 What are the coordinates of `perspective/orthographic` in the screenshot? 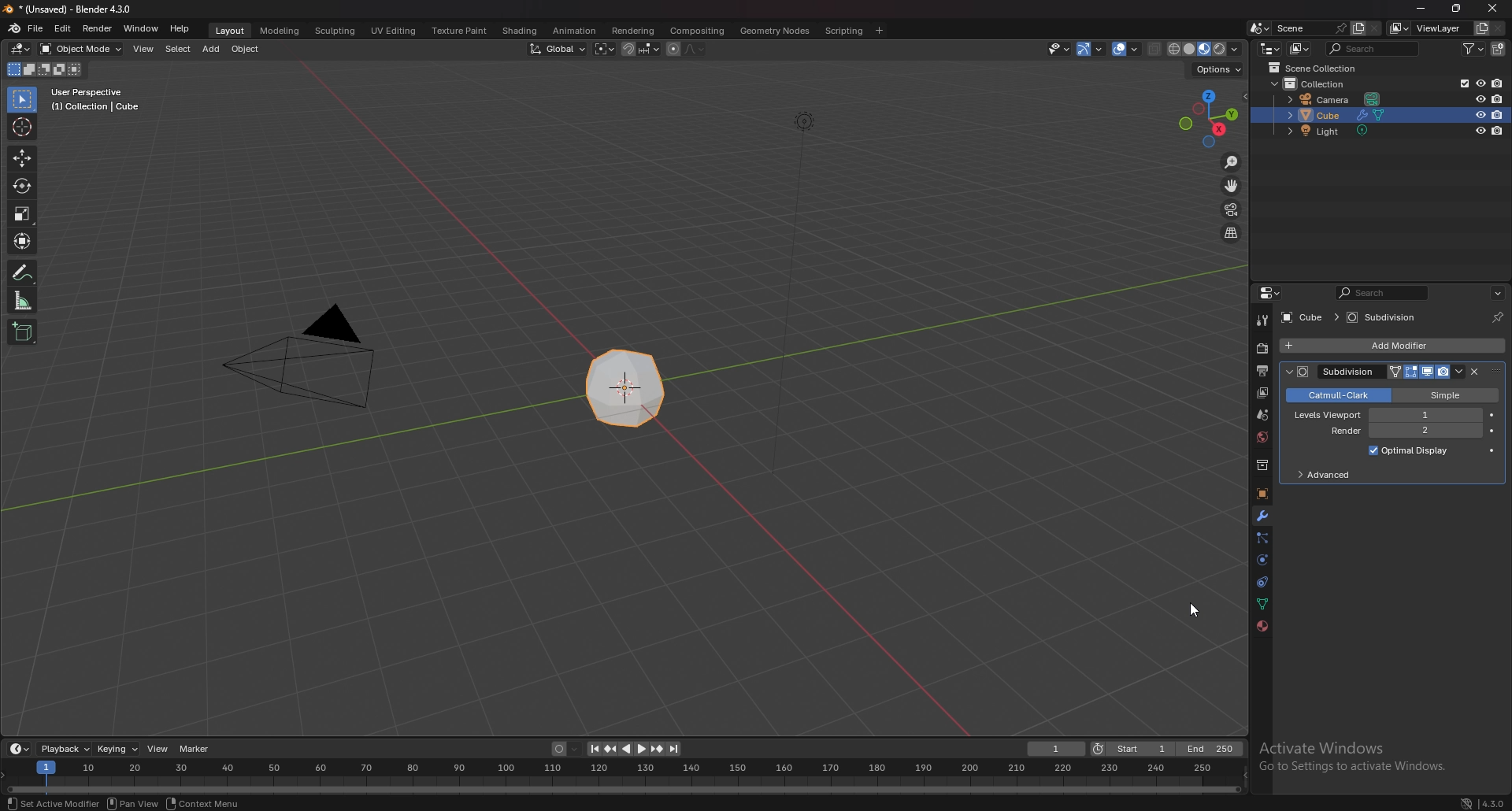 It's located at (1231, 234).